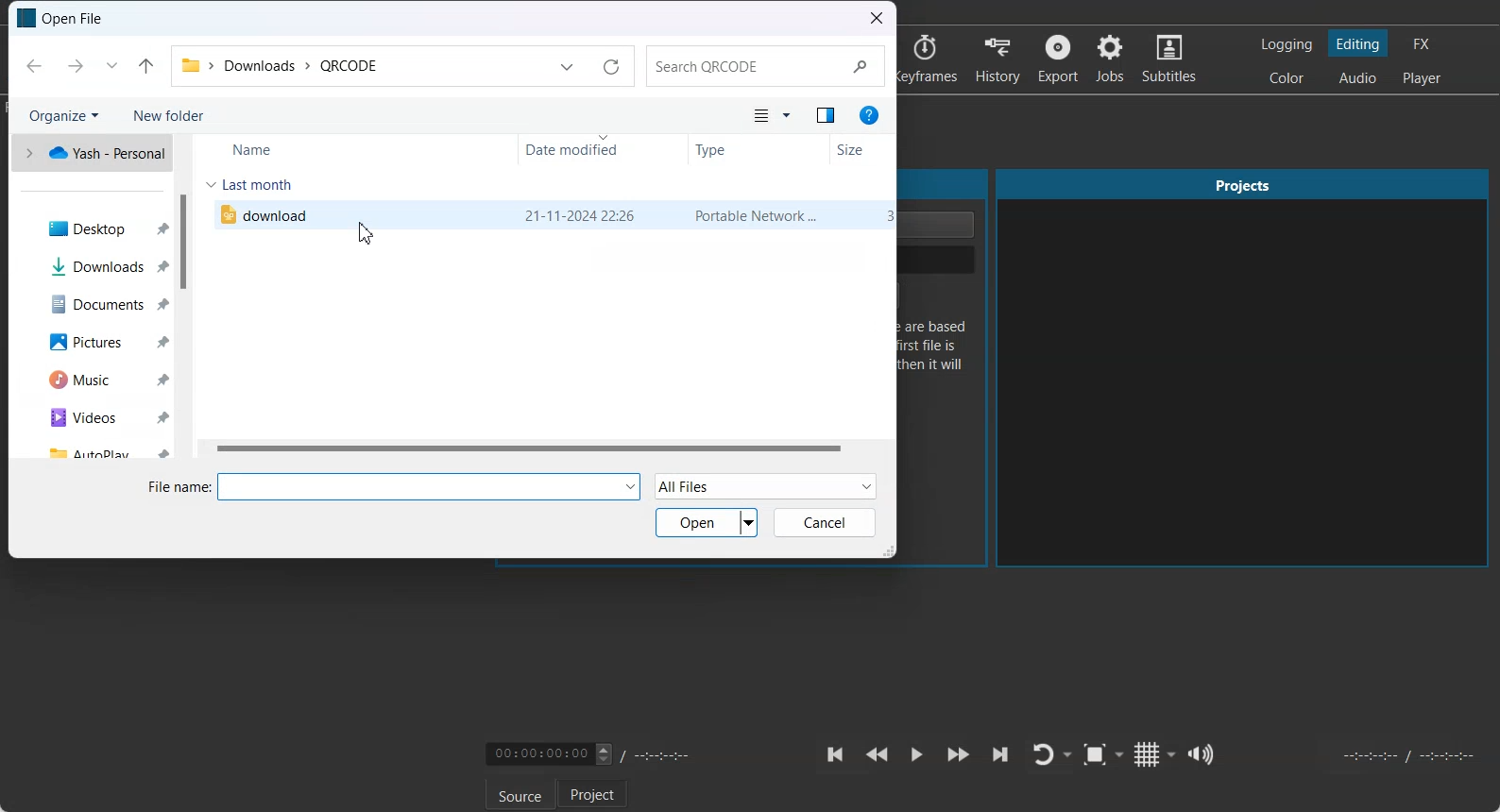  I want to click on File name, so click(178, 488).